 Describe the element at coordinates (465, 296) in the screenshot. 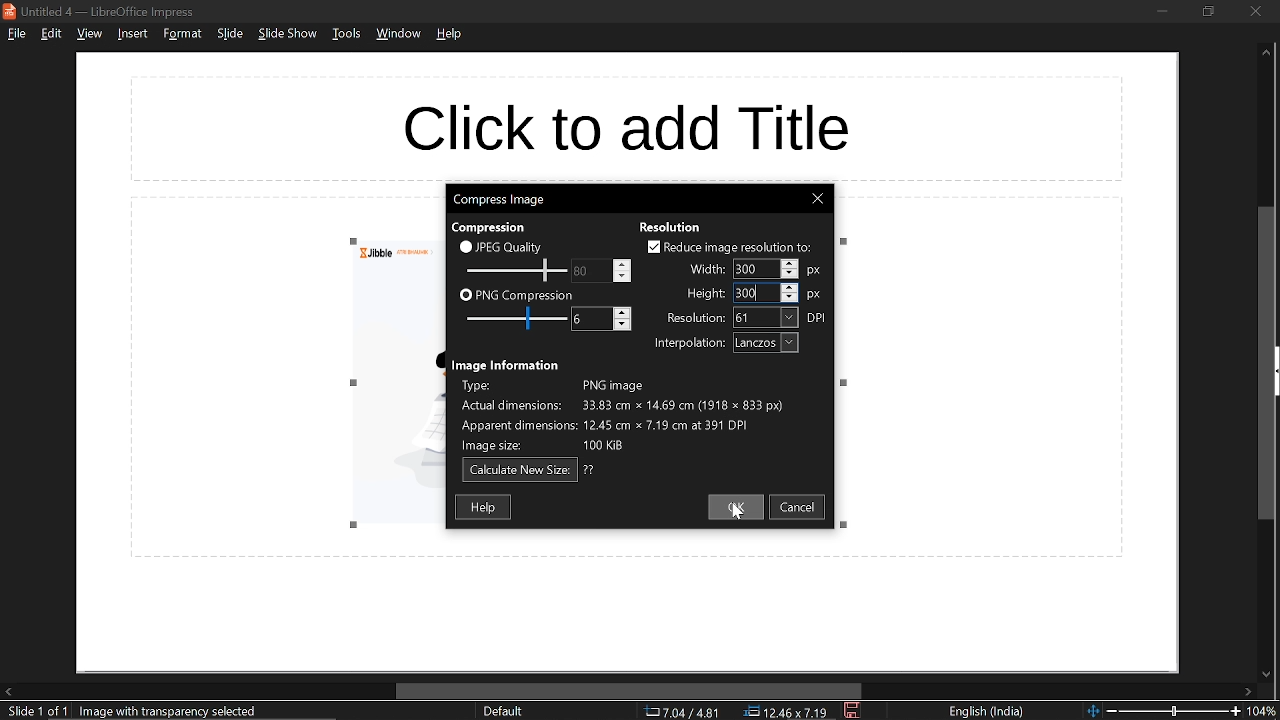

I see `checkbox` at that location.